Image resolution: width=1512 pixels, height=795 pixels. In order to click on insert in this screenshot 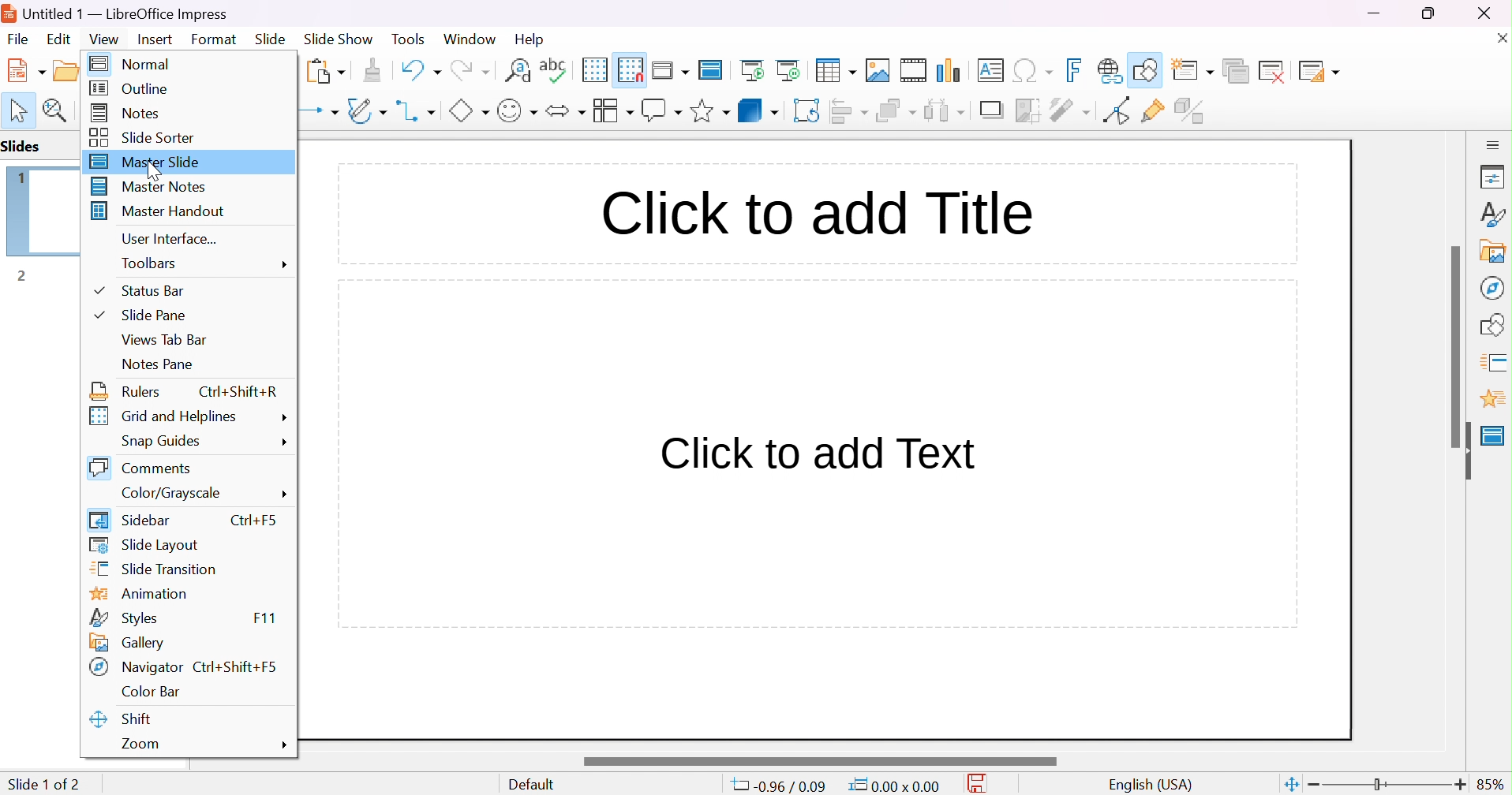, I will do `click(153, 38)`.